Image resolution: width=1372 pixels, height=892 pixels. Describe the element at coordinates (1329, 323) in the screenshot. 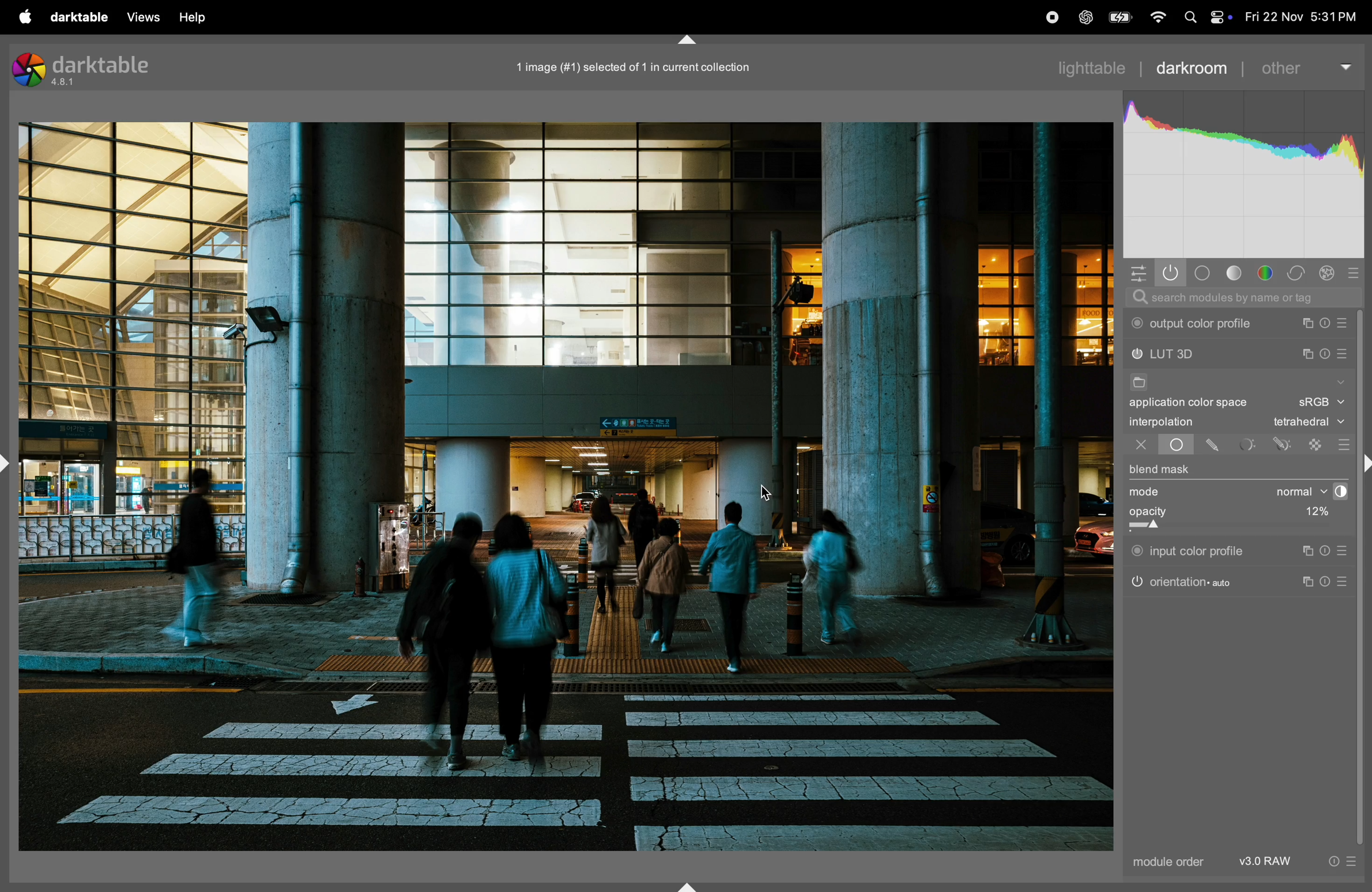

I see `reset parameters` at that location.